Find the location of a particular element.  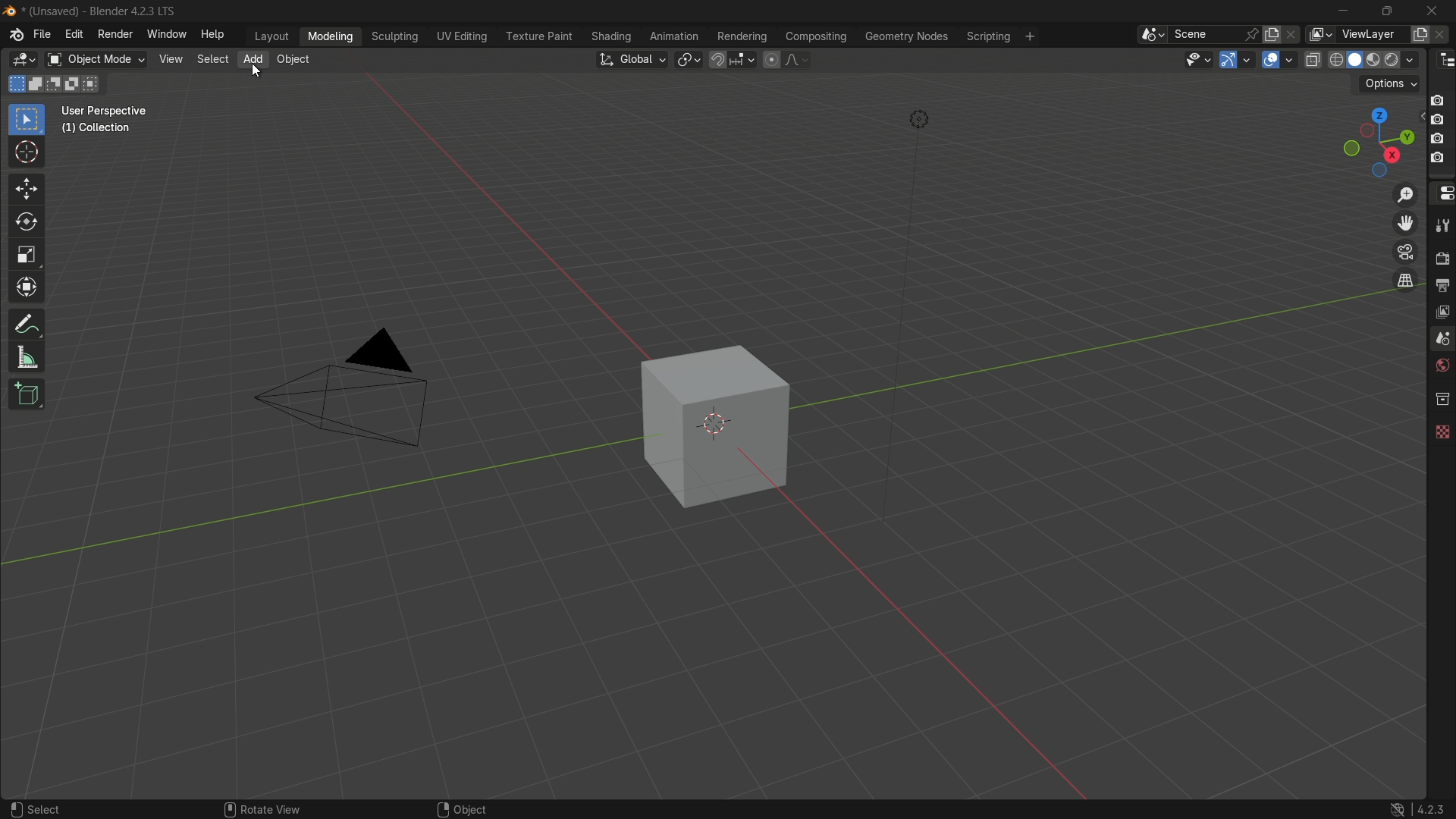

render menu is located at coordinates (115, 35).